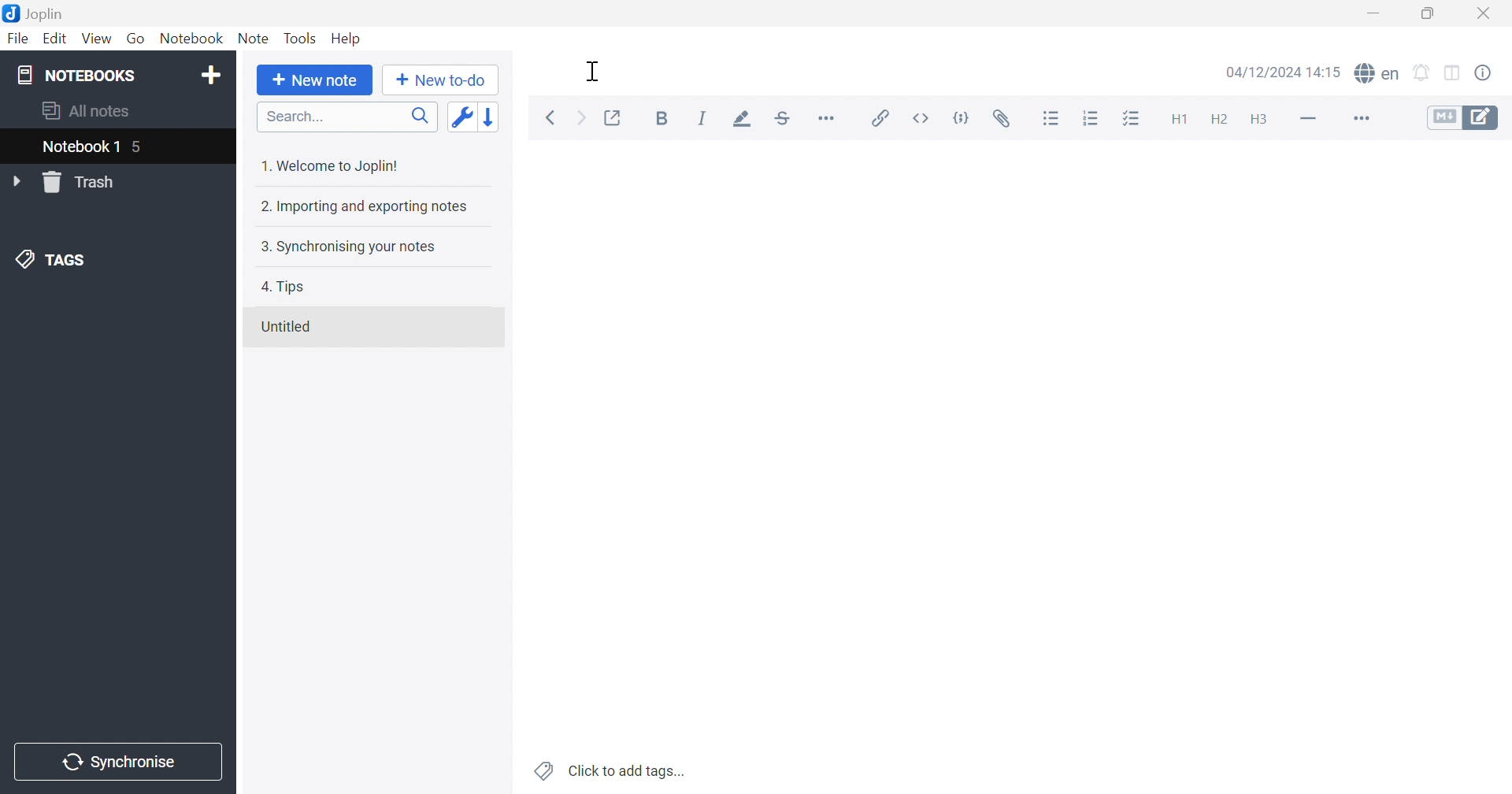 The image size is (1512, 794). What do you see at coordinates (1463, 117) in the screenshot?
I see `Toggle editors` at bounding box center [1463, 117].